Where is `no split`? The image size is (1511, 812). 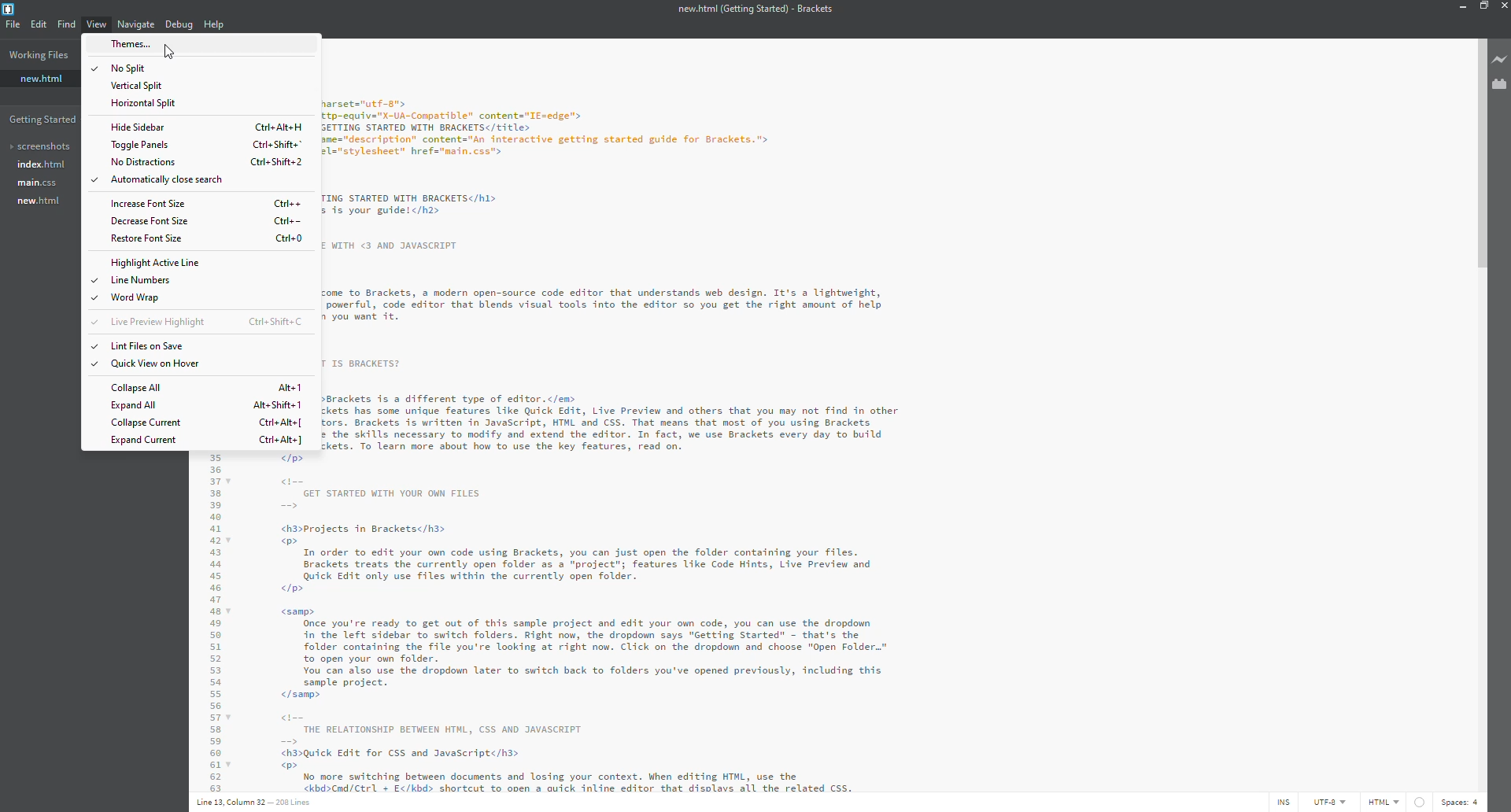 no split is located at coordinates (134, 68).